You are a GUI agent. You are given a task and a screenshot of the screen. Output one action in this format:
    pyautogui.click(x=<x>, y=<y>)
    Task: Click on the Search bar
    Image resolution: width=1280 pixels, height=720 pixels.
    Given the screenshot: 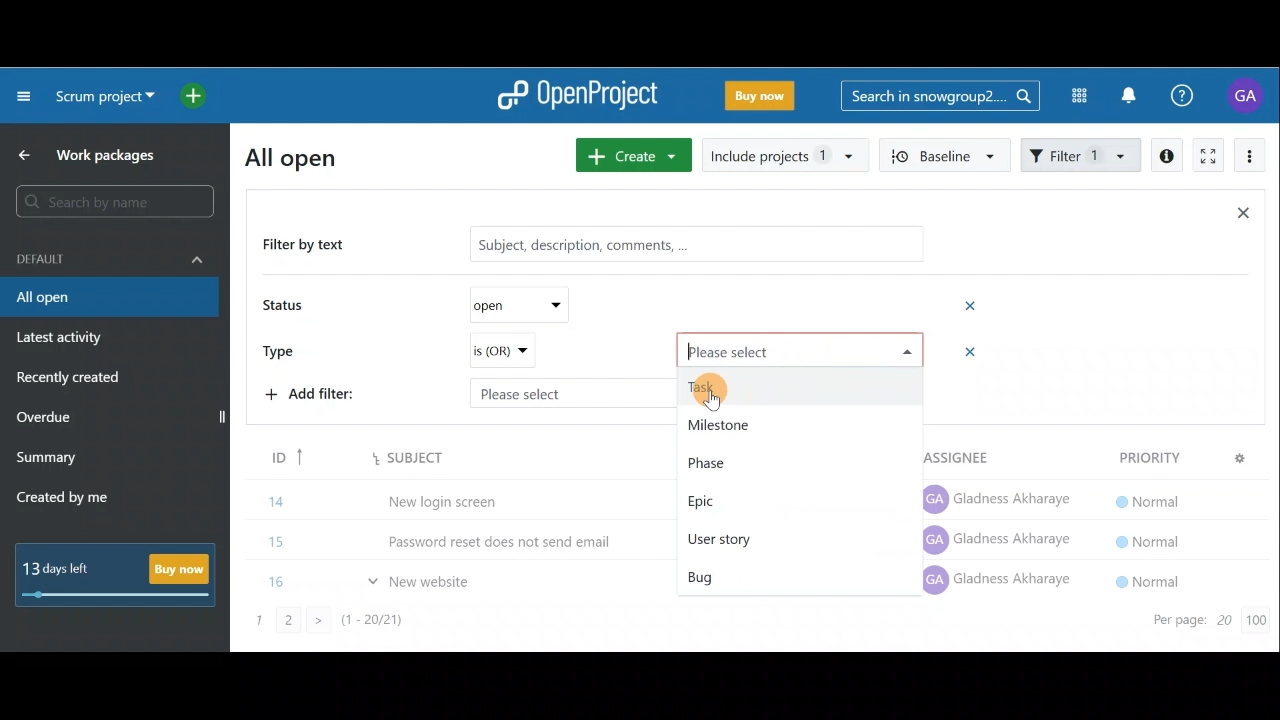 What is the action you would take?
    pyautogui.click(x=118, y=201)
    